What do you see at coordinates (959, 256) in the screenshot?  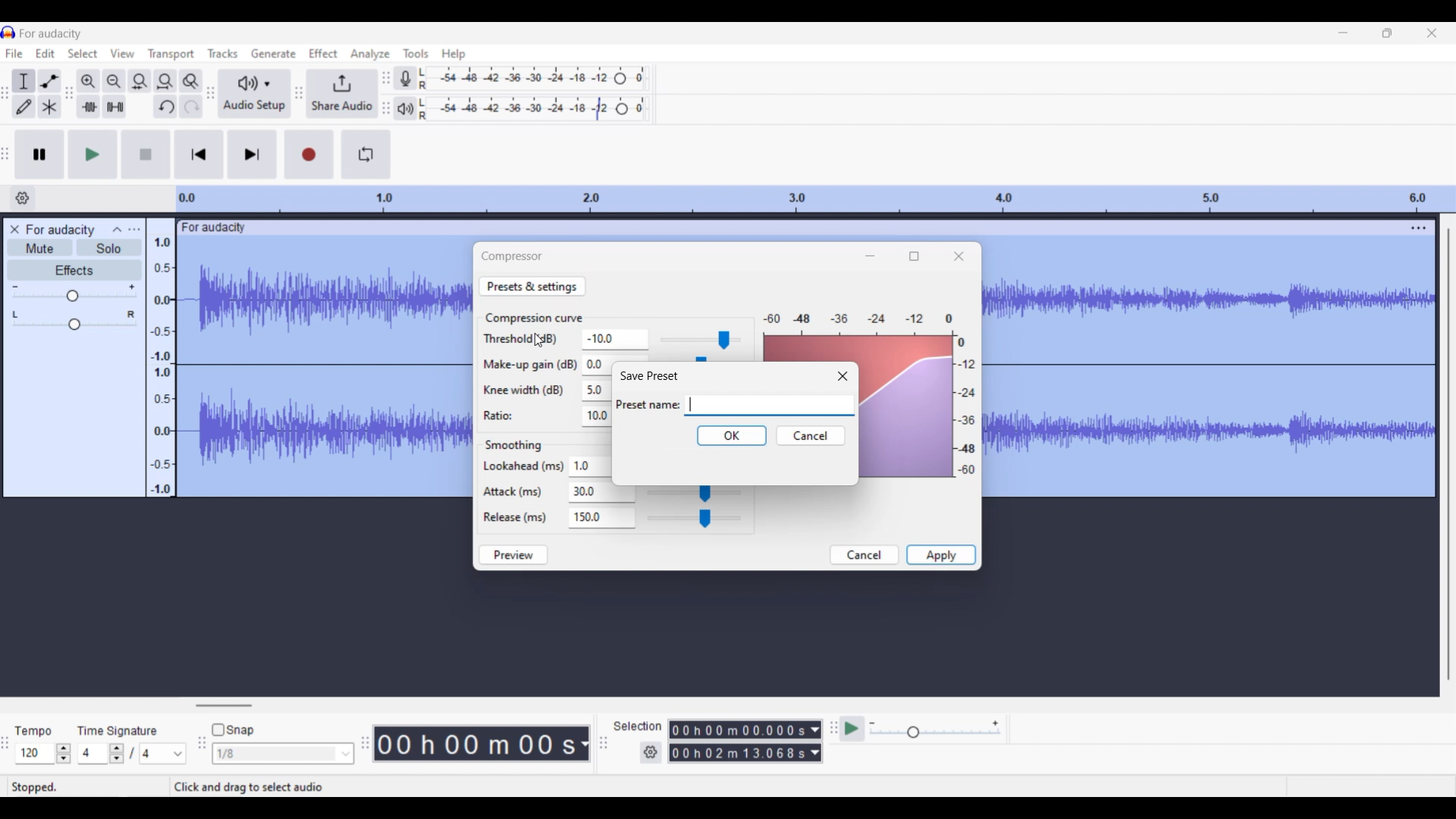 I see `Close` at bounding box center [959, 256].